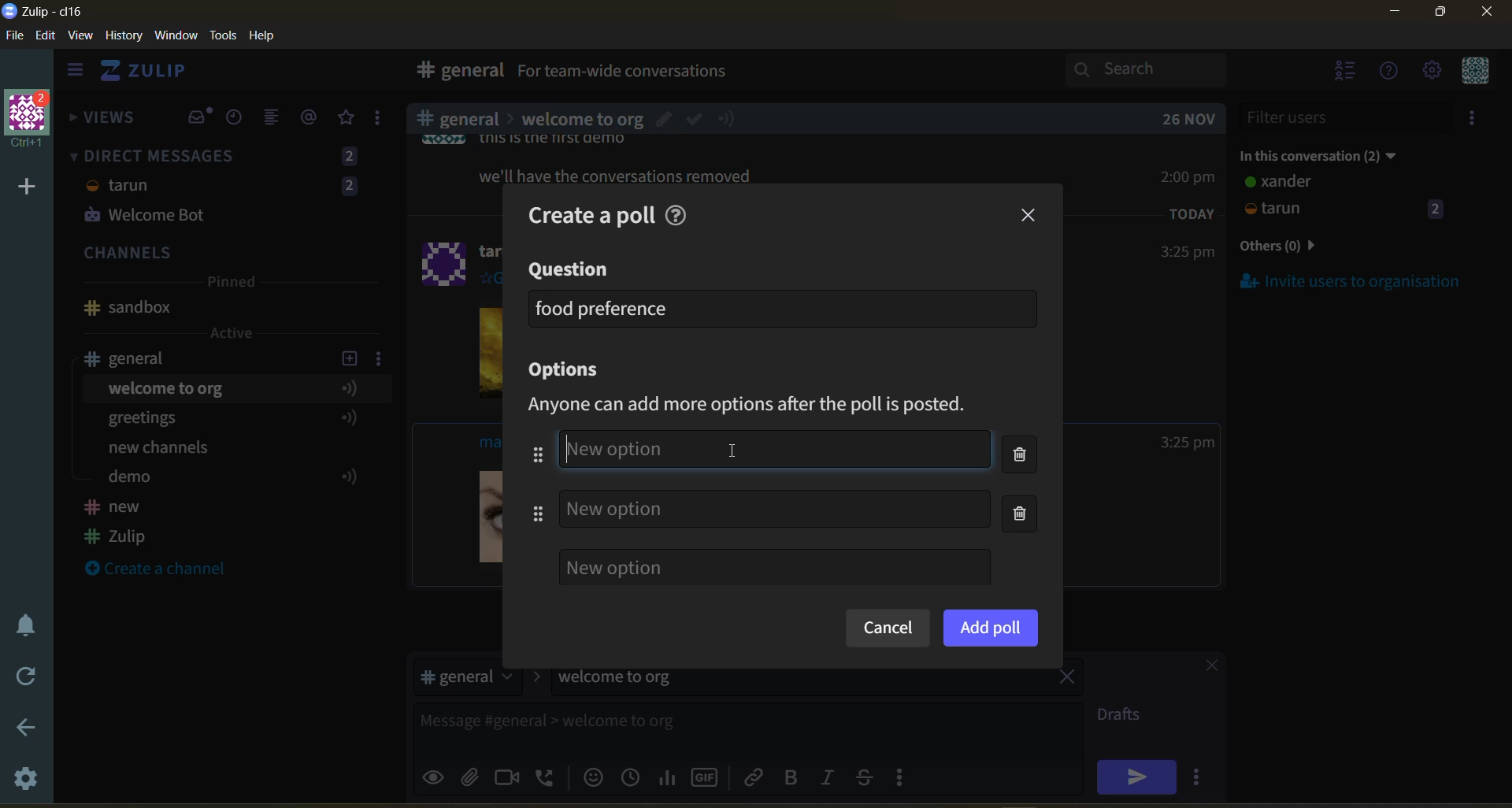 This screenshot has width=1512, height=808. Describe the element at coordinates (1201, 776) in the screenshot. I see `send options` at that location.